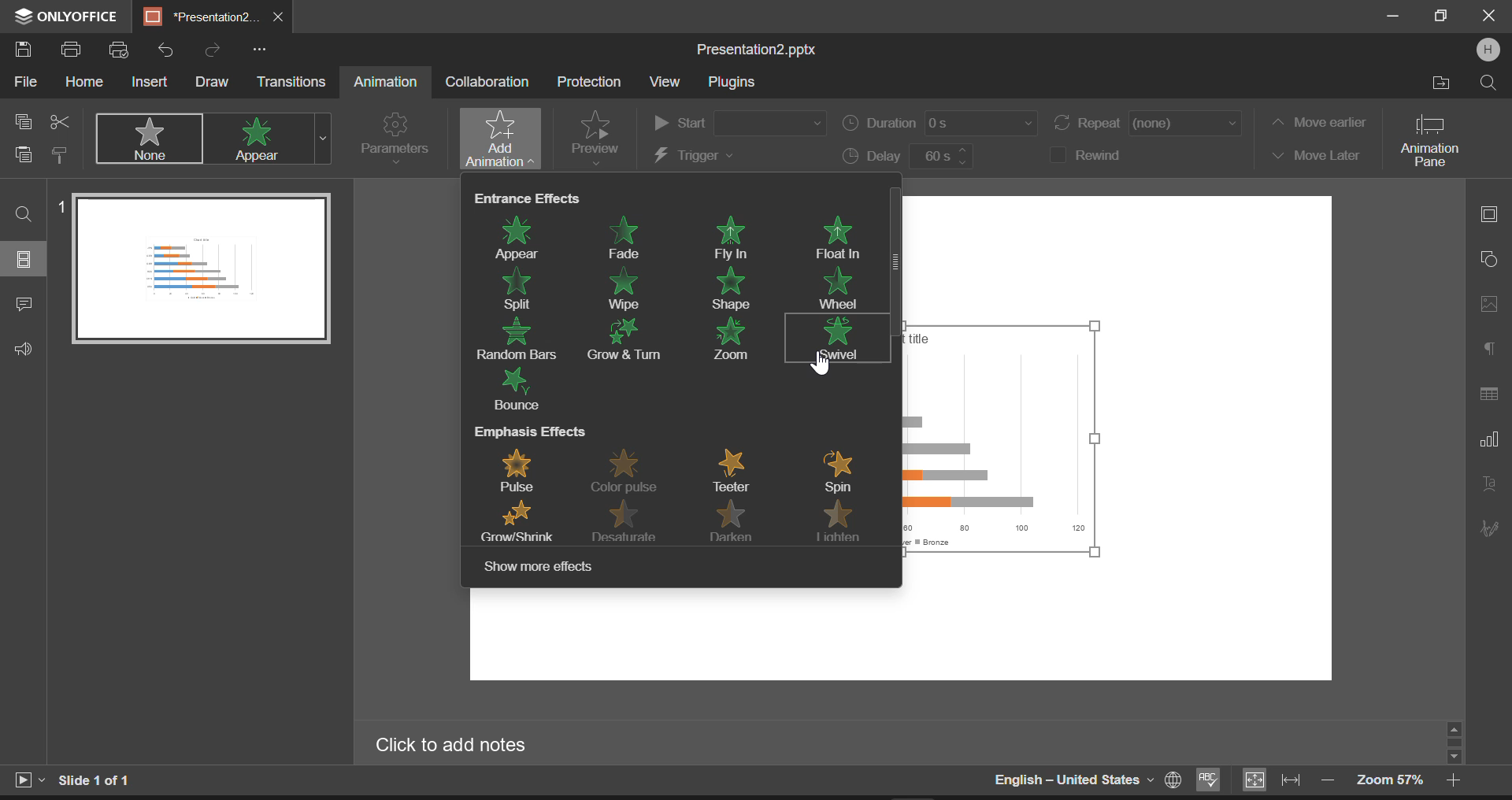 This screenshot has height=800, width=1512. Describe the element at coordinates (1488, 486) in the screenshot. I see `Text Art Settings` at that location.